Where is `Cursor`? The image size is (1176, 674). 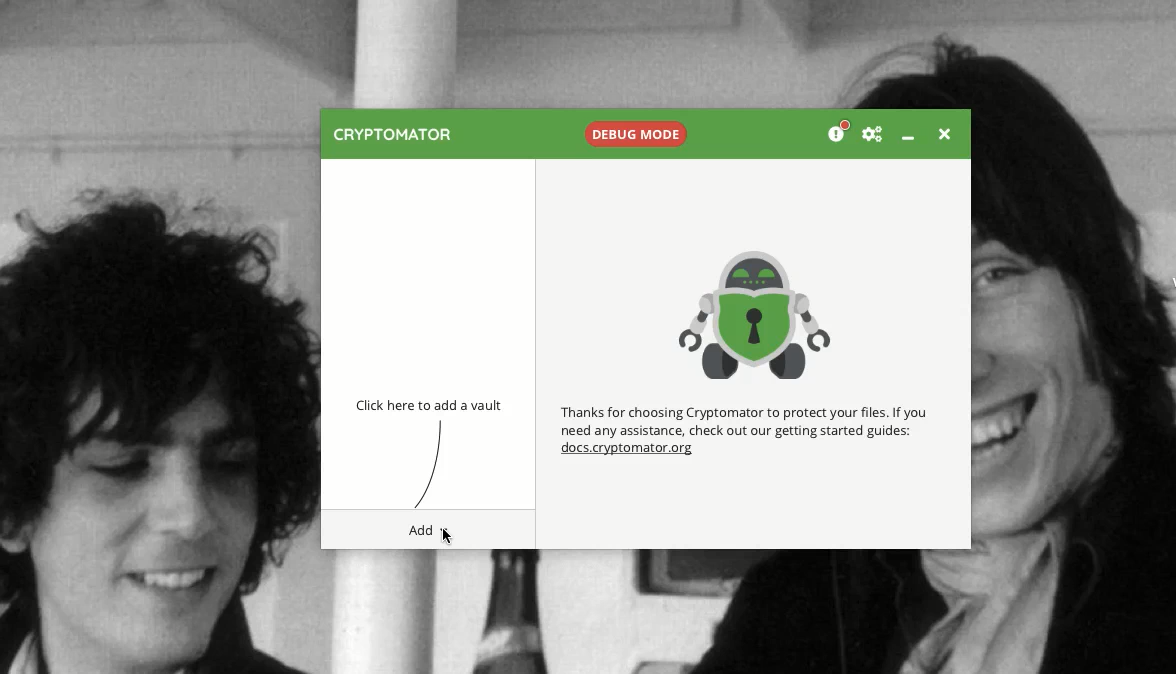
Cursor is located at coordinates (448, 537).